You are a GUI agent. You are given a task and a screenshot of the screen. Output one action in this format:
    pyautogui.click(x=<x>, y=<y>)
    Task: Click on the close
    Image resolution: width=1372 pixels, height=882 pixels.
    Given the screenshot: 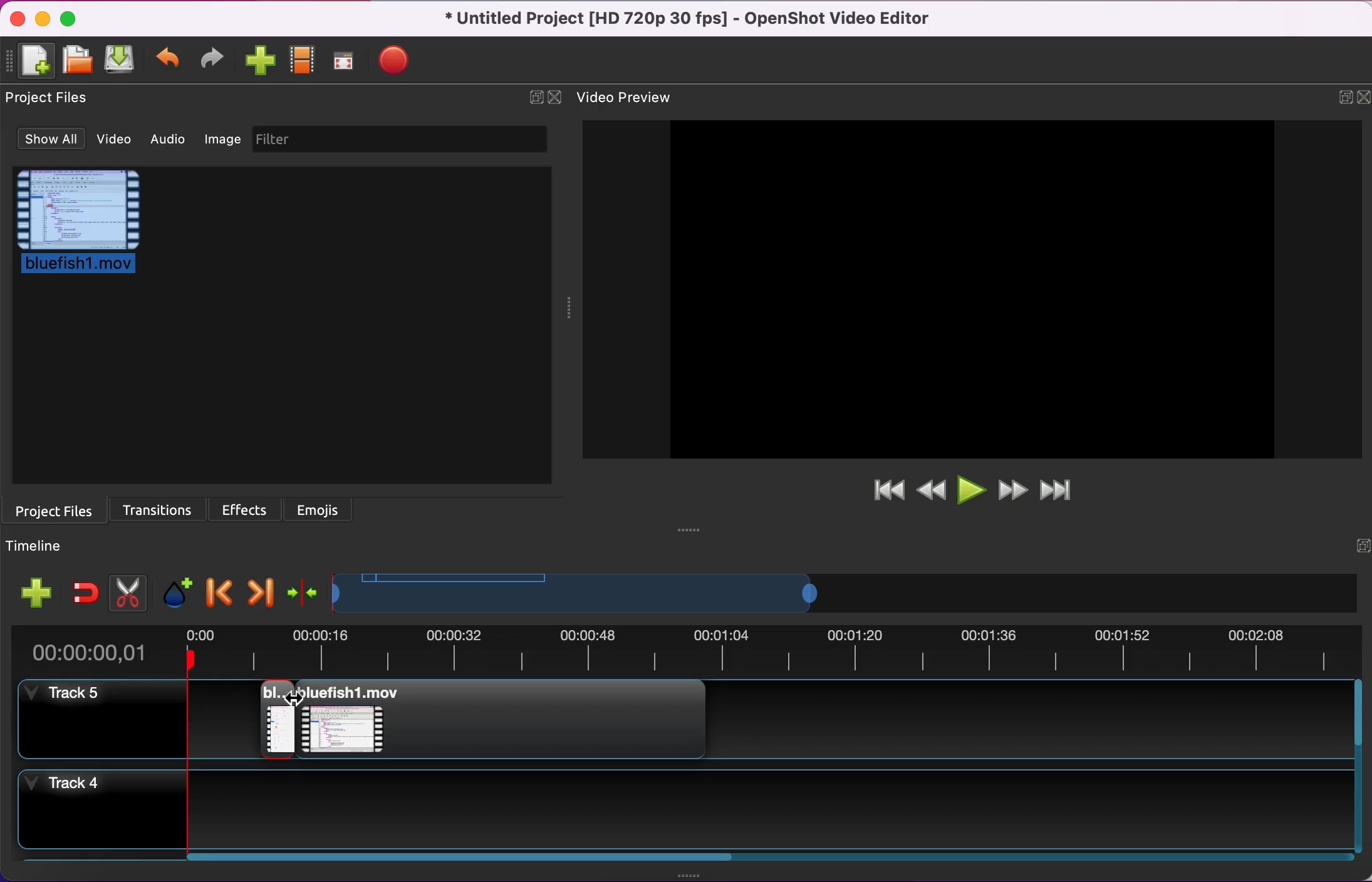 What is the action you would take?
    pyautogui.click(x=556, y=96)
    